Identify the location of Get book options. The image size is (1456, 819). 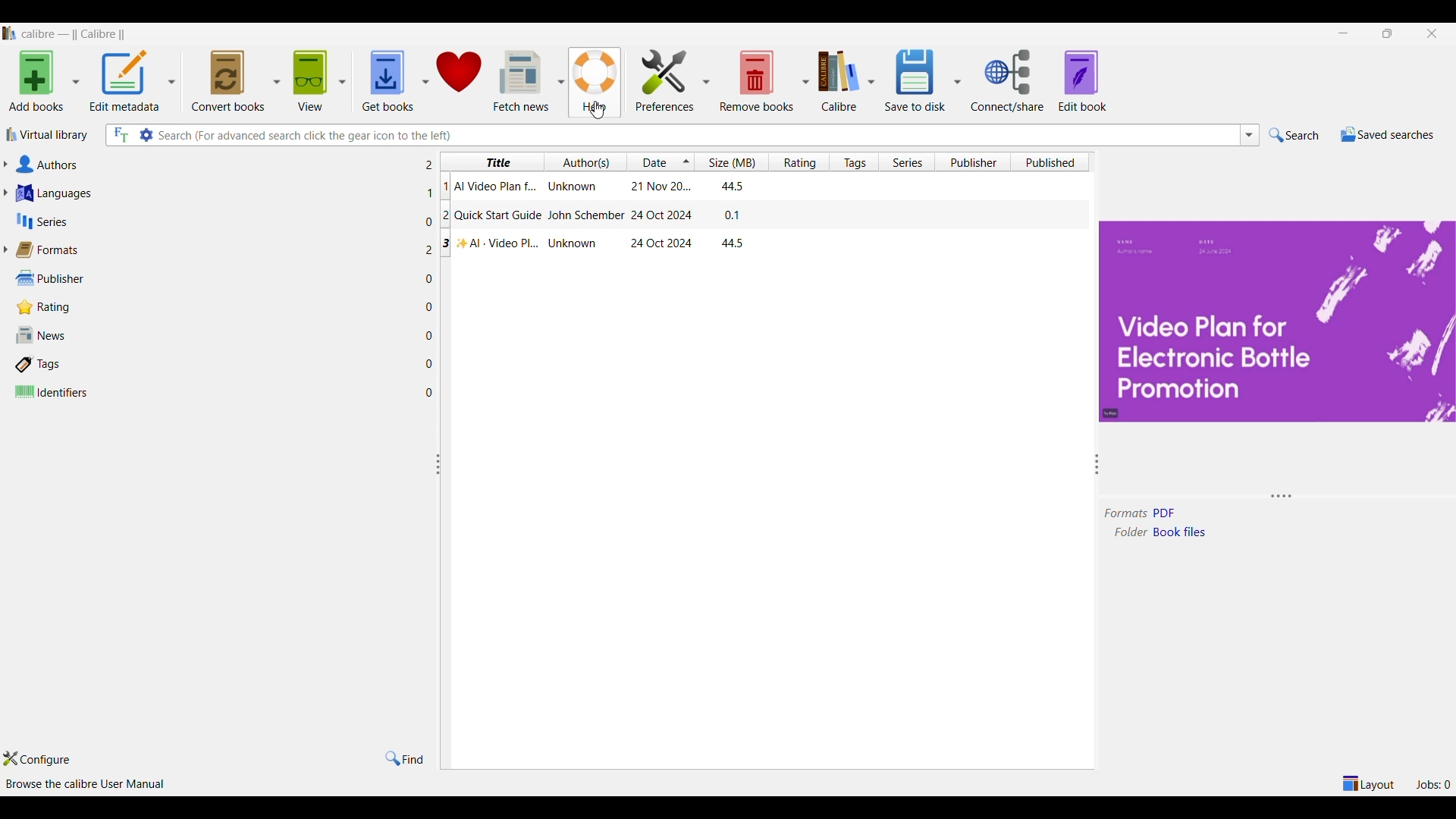
(425, 83).